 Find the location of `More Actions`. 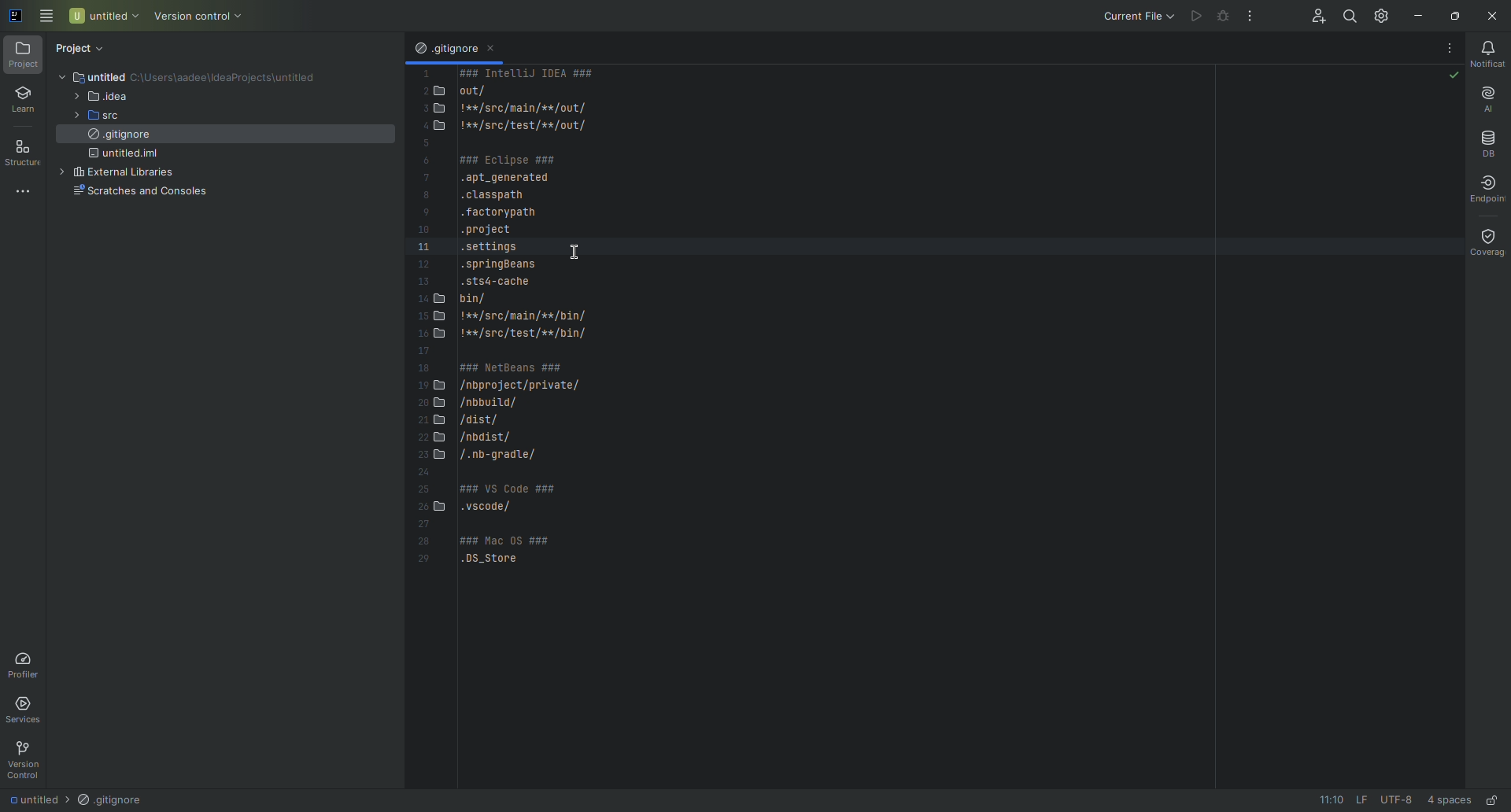

More Actions is located at coordinates (1450, 47).